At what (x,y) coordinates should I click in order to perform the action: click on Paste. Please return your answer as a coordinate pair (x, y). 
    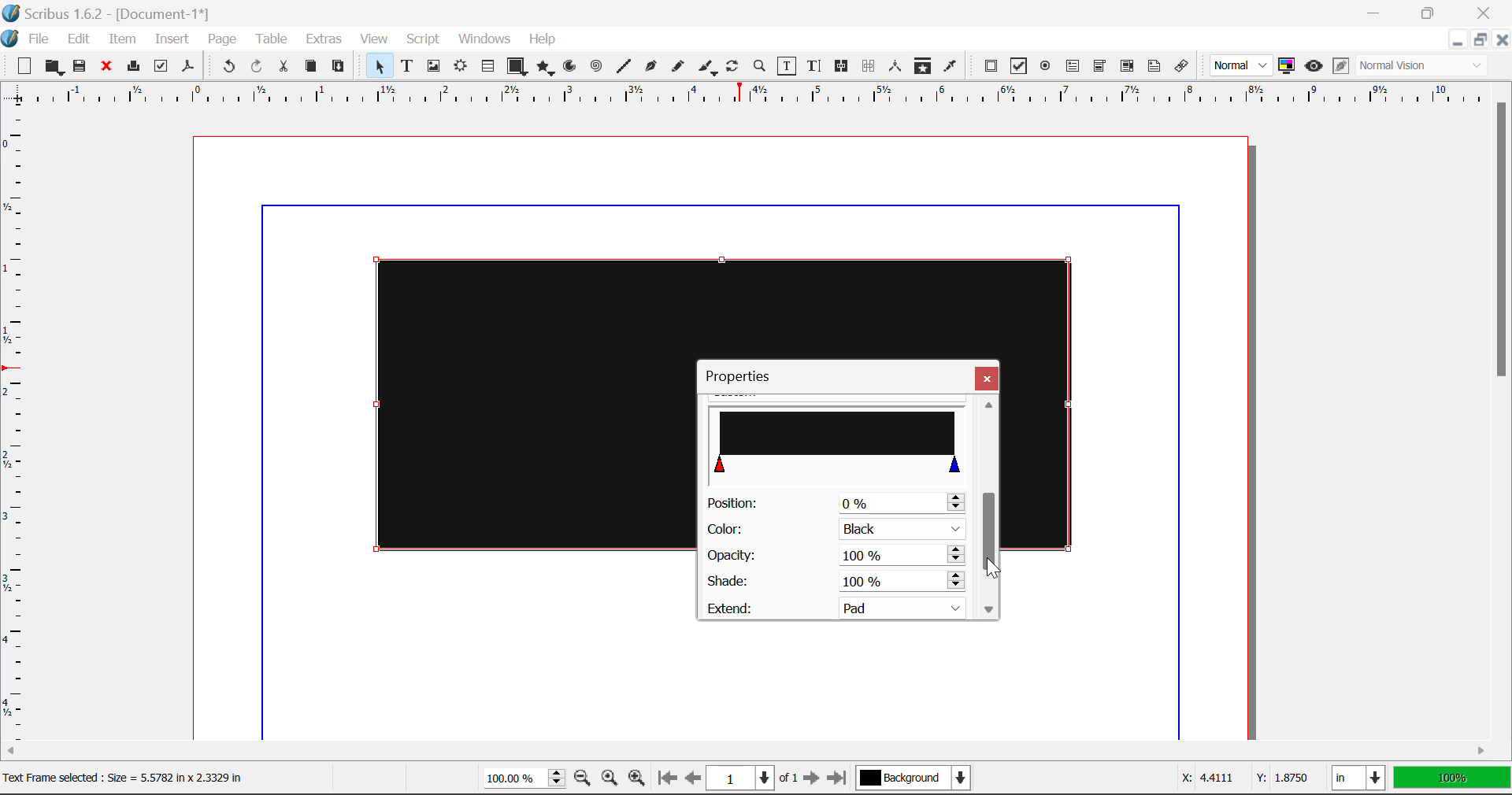
    Looking at the image, I should click on (339, 67).